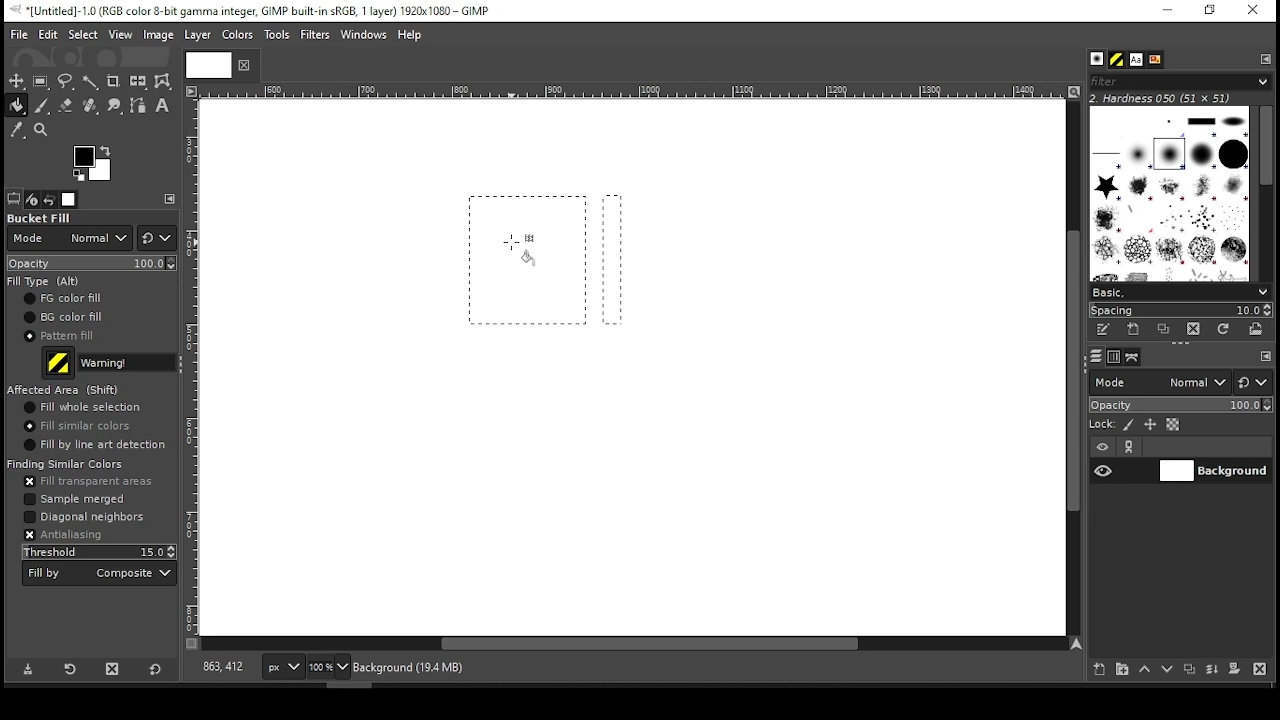  Describe the element at coordinates (113, 82) in the screenshot. I see `crop  tool` at that location.